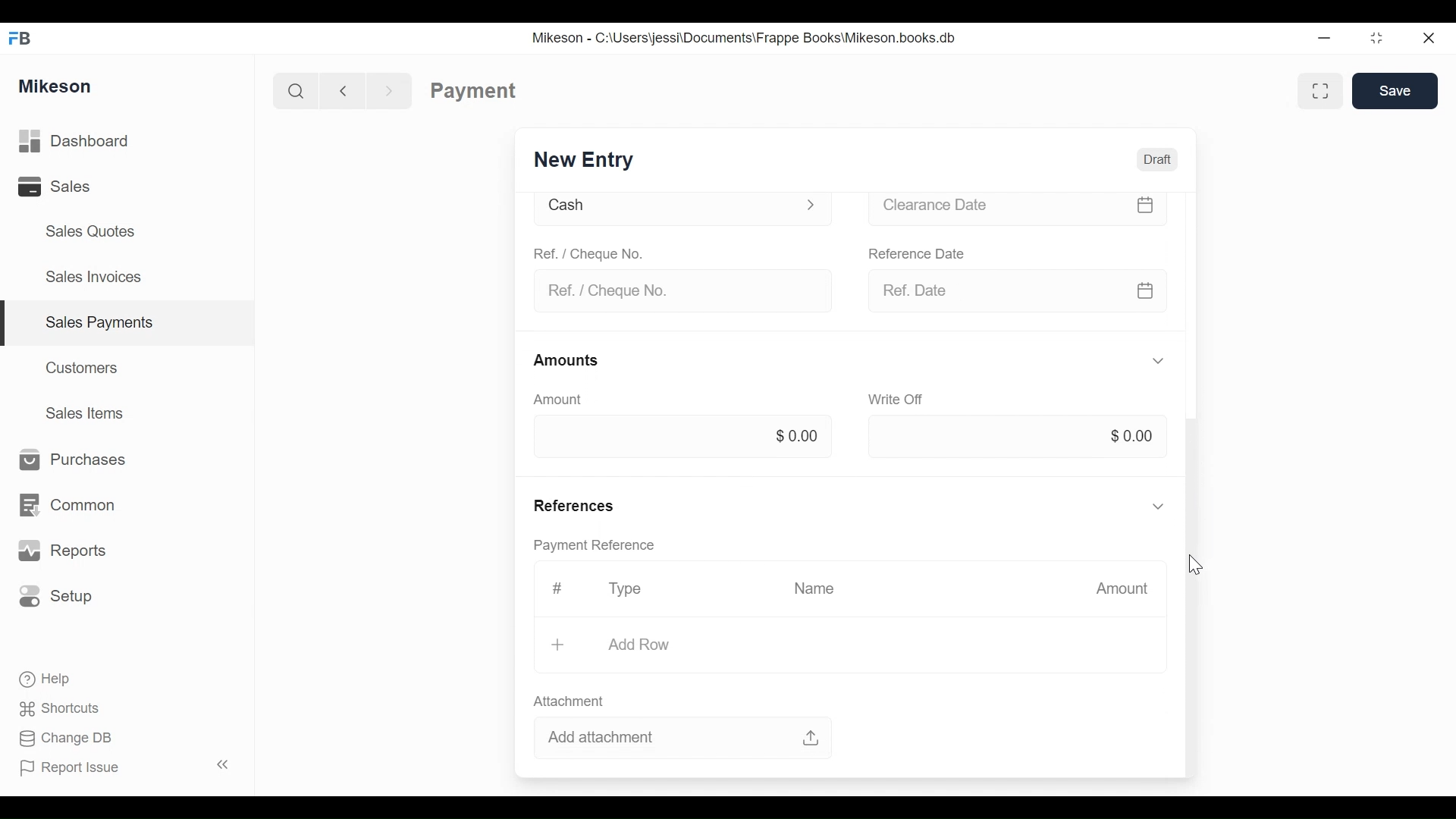 Image resolution: width=1456 pixels, height=819 pixels. Describe the element at coordinates (594, 256) in the screenshot. I see `Ref. / Cheque No.` at that location.